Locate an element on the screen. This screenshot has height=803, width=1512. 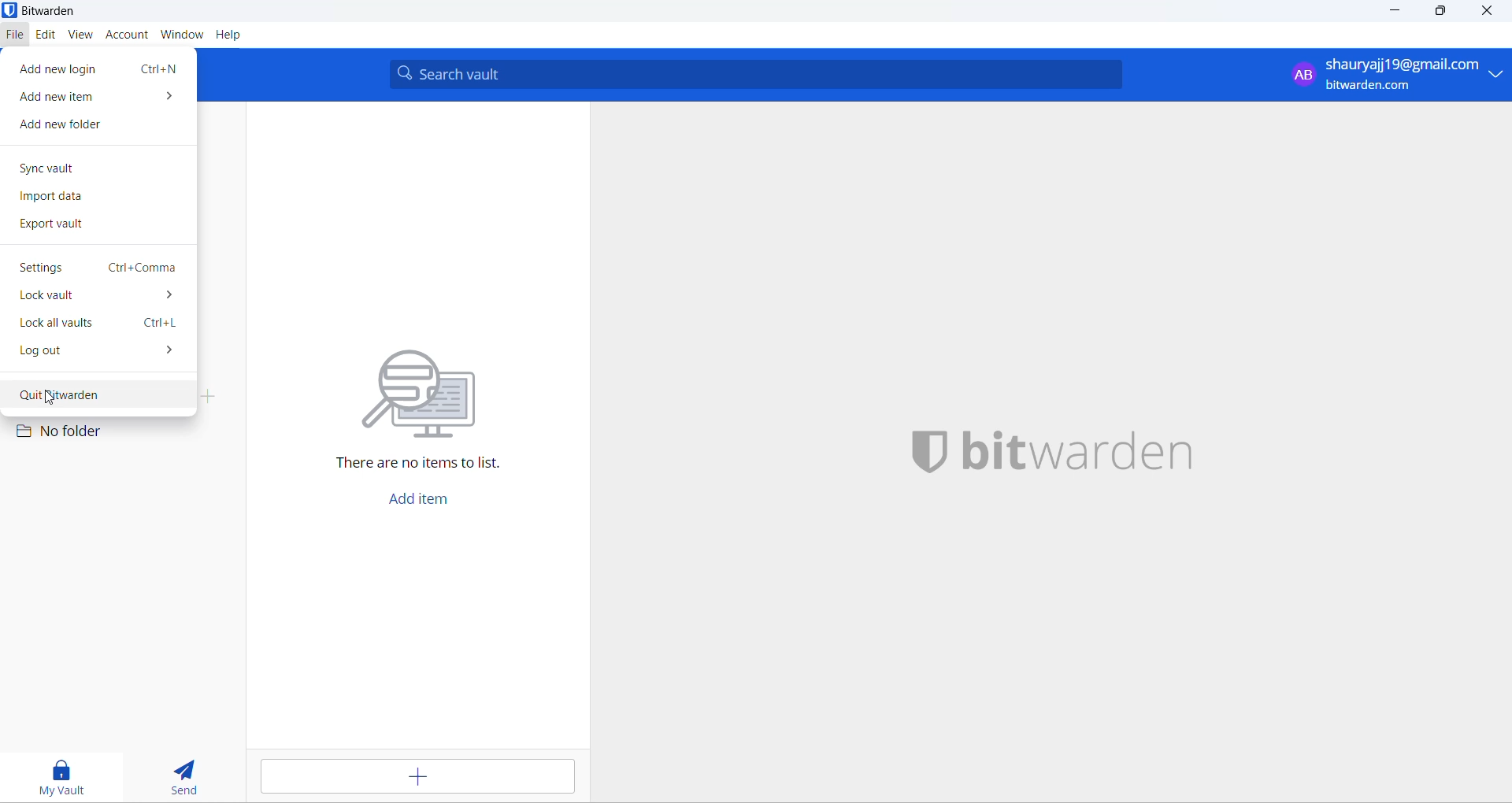
bitwarden application name is located at coordinates (58, 10).